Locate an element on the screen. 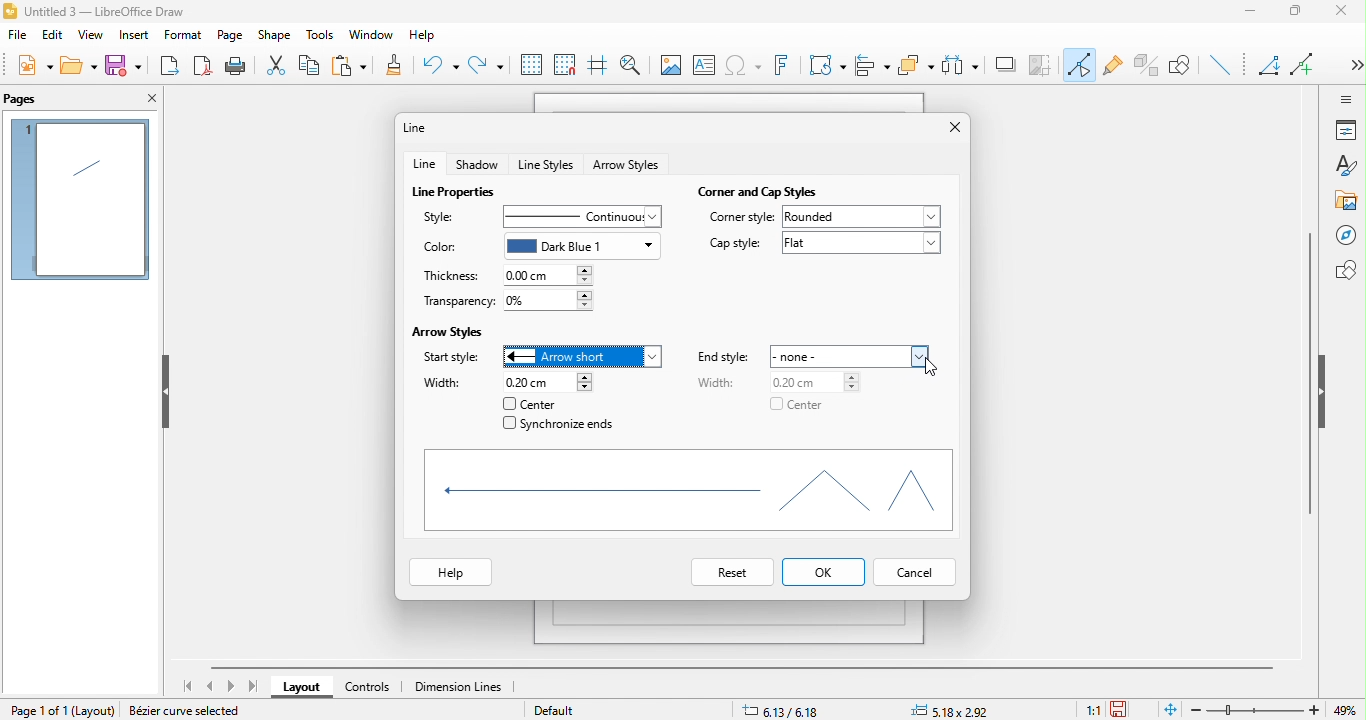 The image size is (1366, 720). continuous is located at coordinates (579, 215).